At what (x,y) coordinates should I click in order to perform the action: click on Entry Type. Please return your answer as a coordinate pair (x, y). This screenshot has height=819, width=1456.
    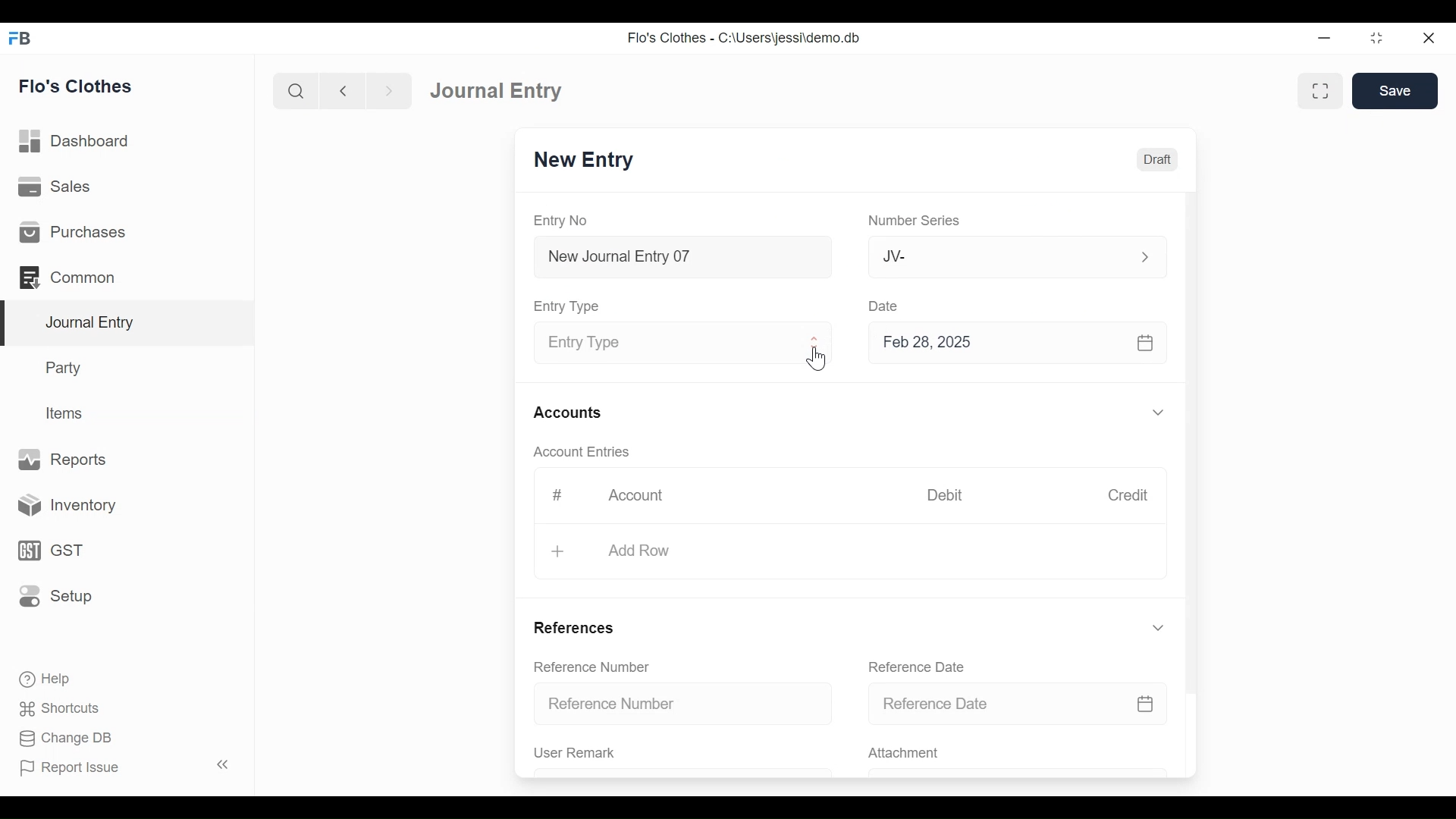
    Looking at the image, I should click on (570, 306).